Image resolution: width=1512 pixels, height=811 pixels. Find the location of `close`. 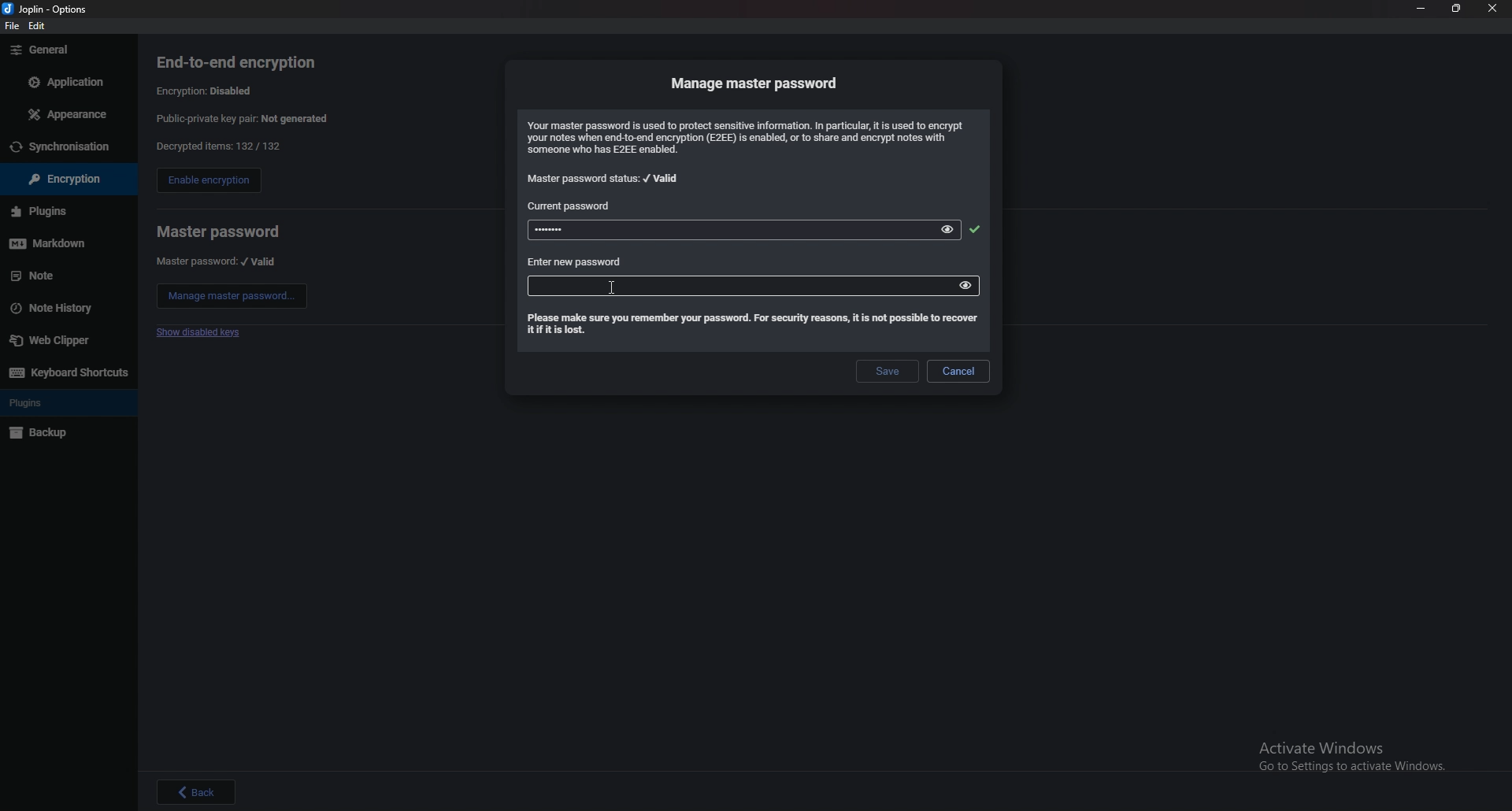

close is located at coordinates (1494, 9).